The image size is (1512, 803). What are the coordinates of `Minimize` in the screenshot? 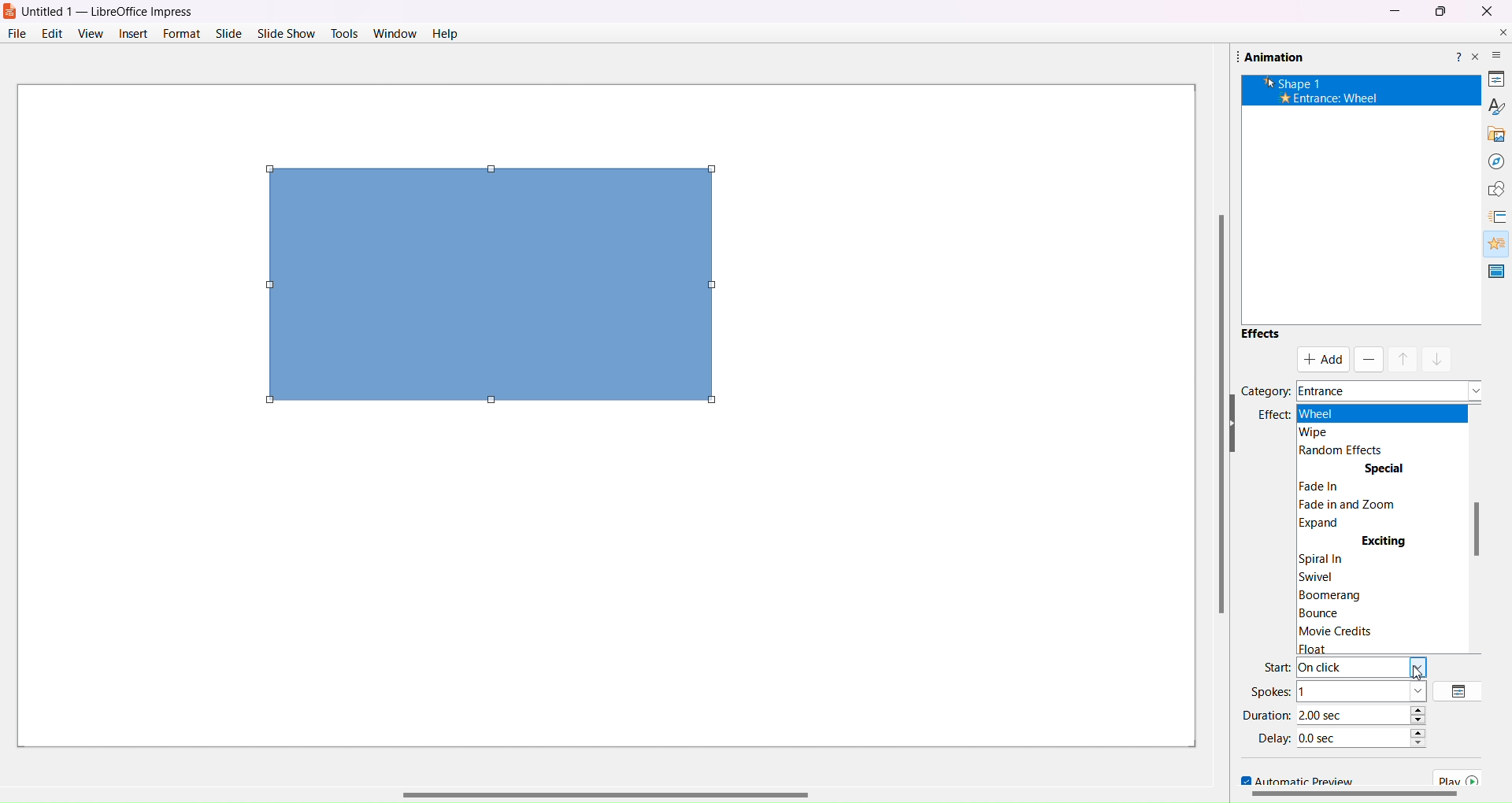 It's located at (1394, 10).